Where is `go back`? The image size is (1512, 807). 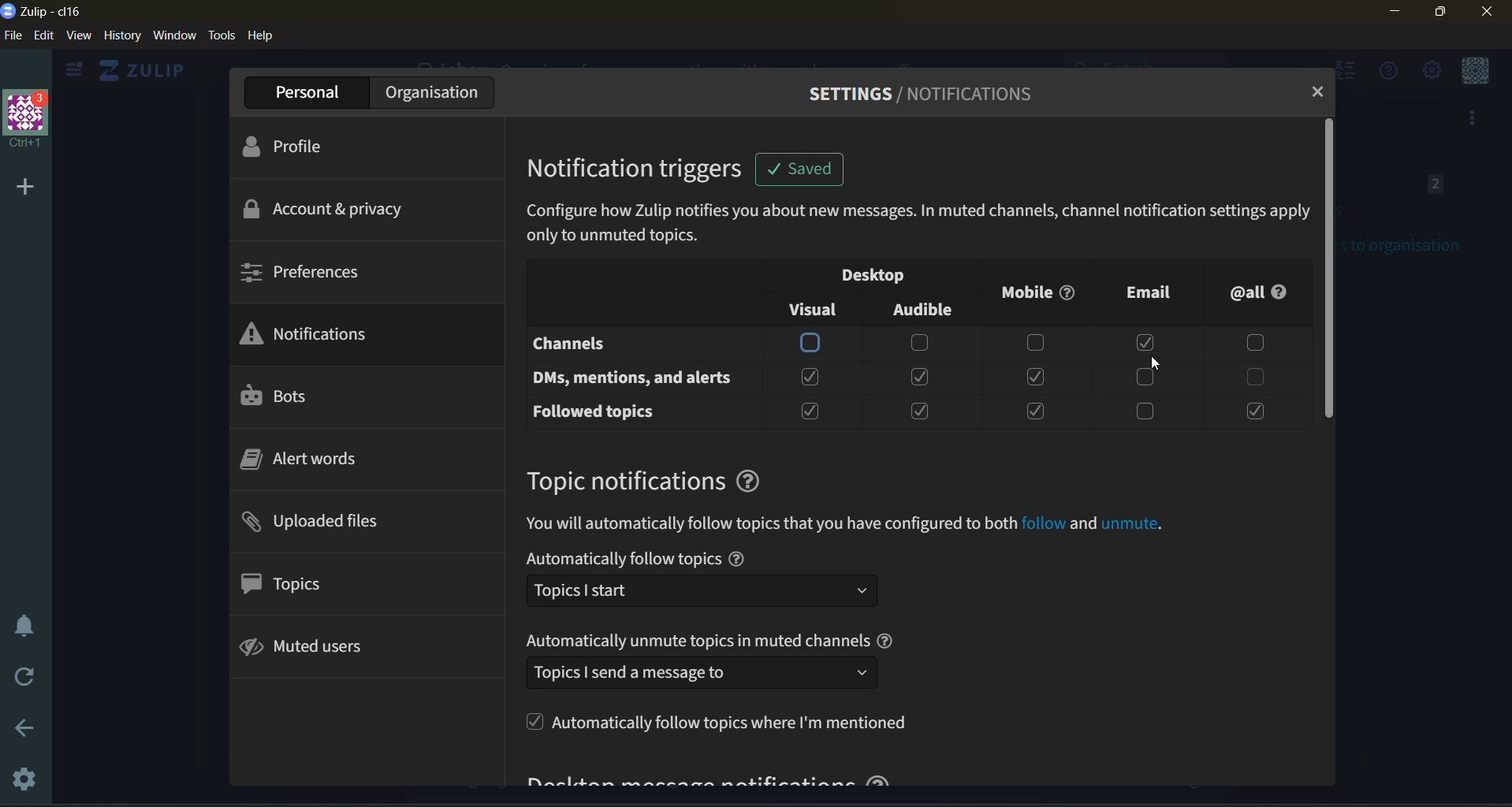
go back is located at coordinates (19, 731).